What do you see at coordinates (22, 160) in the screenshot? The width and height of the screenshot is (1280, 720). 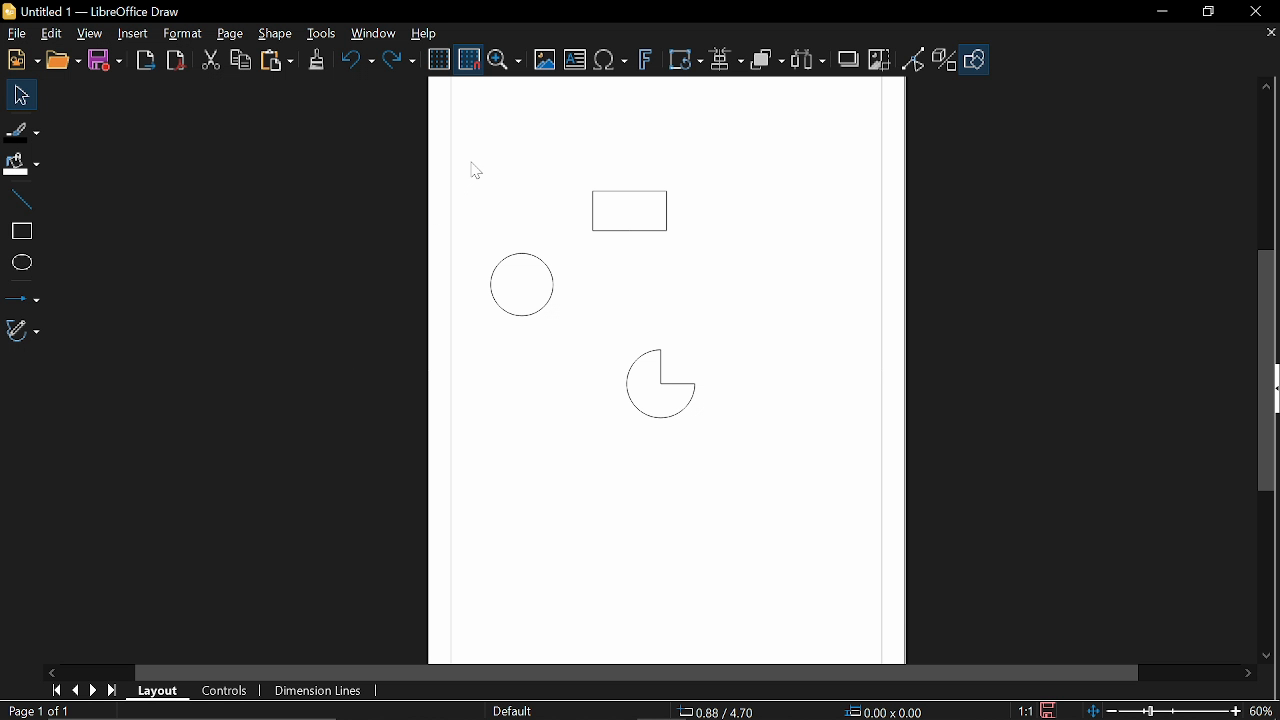 I see `FiIl color` at bounding box center [22, 160].